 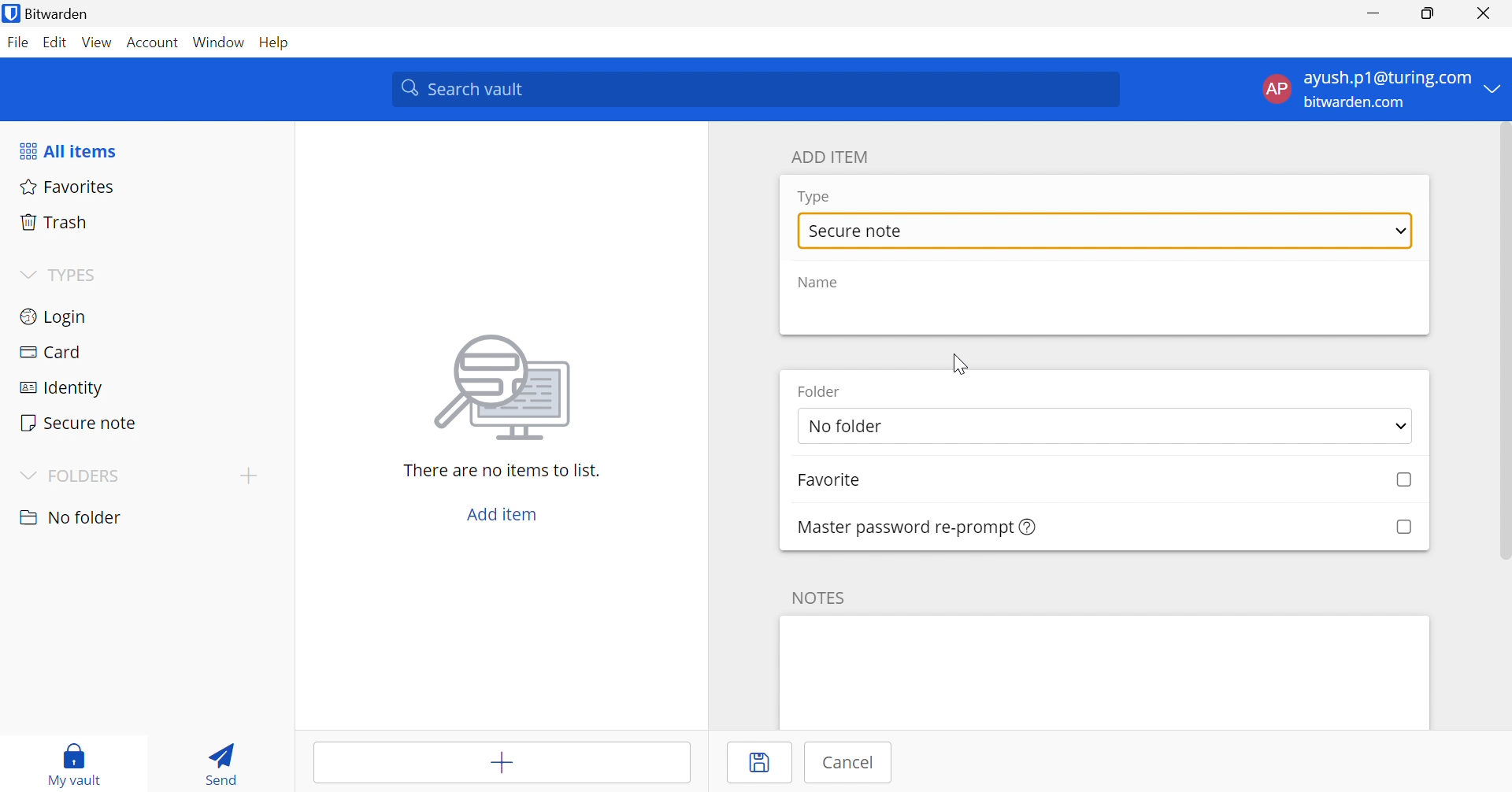 What do you see at coordinates (843, 764) in the screenshot?
I see `Cancel` at bounding box center [843, 764].